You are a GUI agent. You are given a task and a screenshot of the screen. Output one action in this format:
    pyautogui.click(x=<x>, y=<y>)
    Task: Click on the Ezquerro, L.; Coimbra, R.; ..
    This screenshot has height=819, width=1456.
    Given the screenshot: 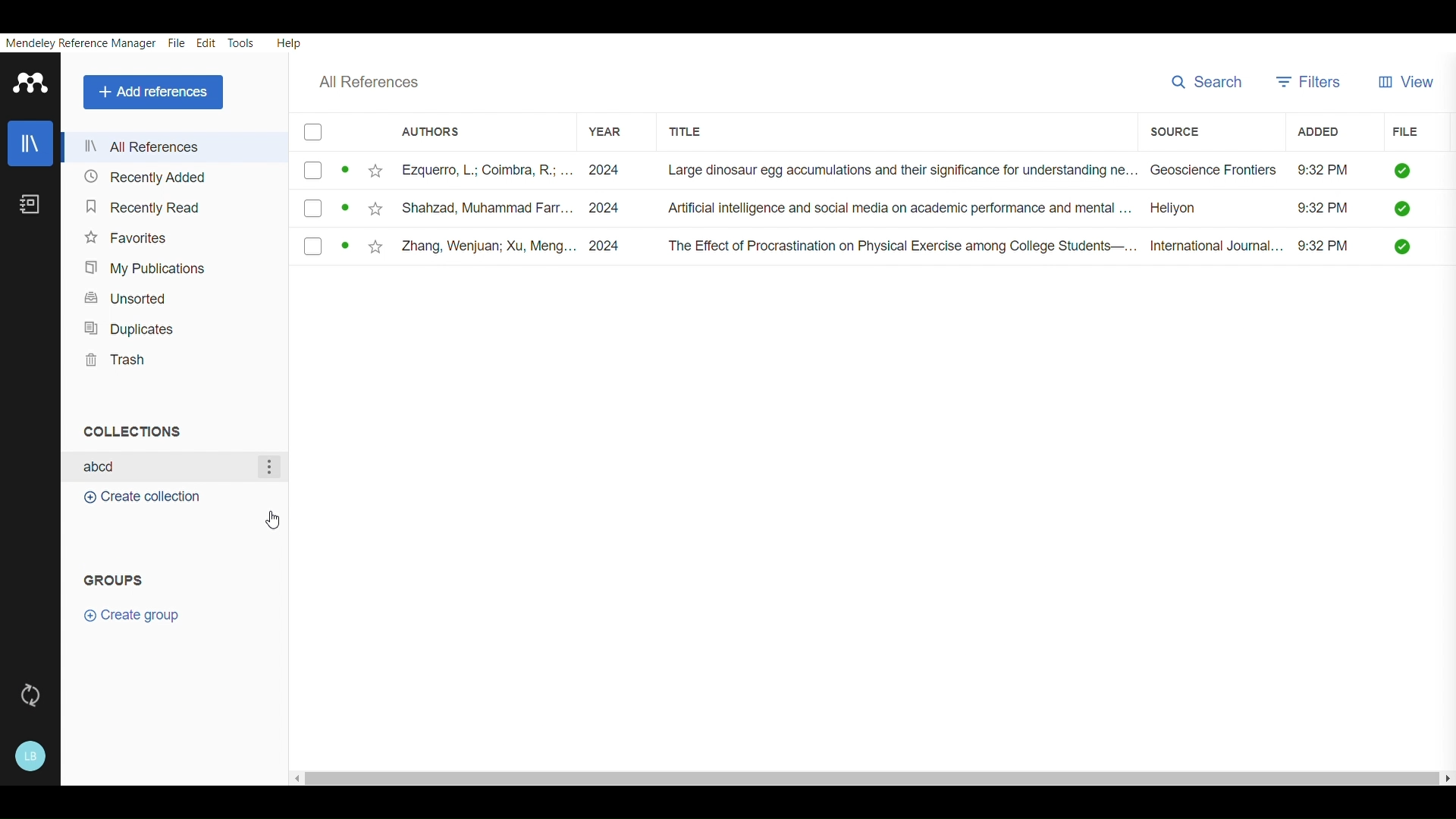 What is the action you would take?
    pyautogui.click(x=466, y=172)
    